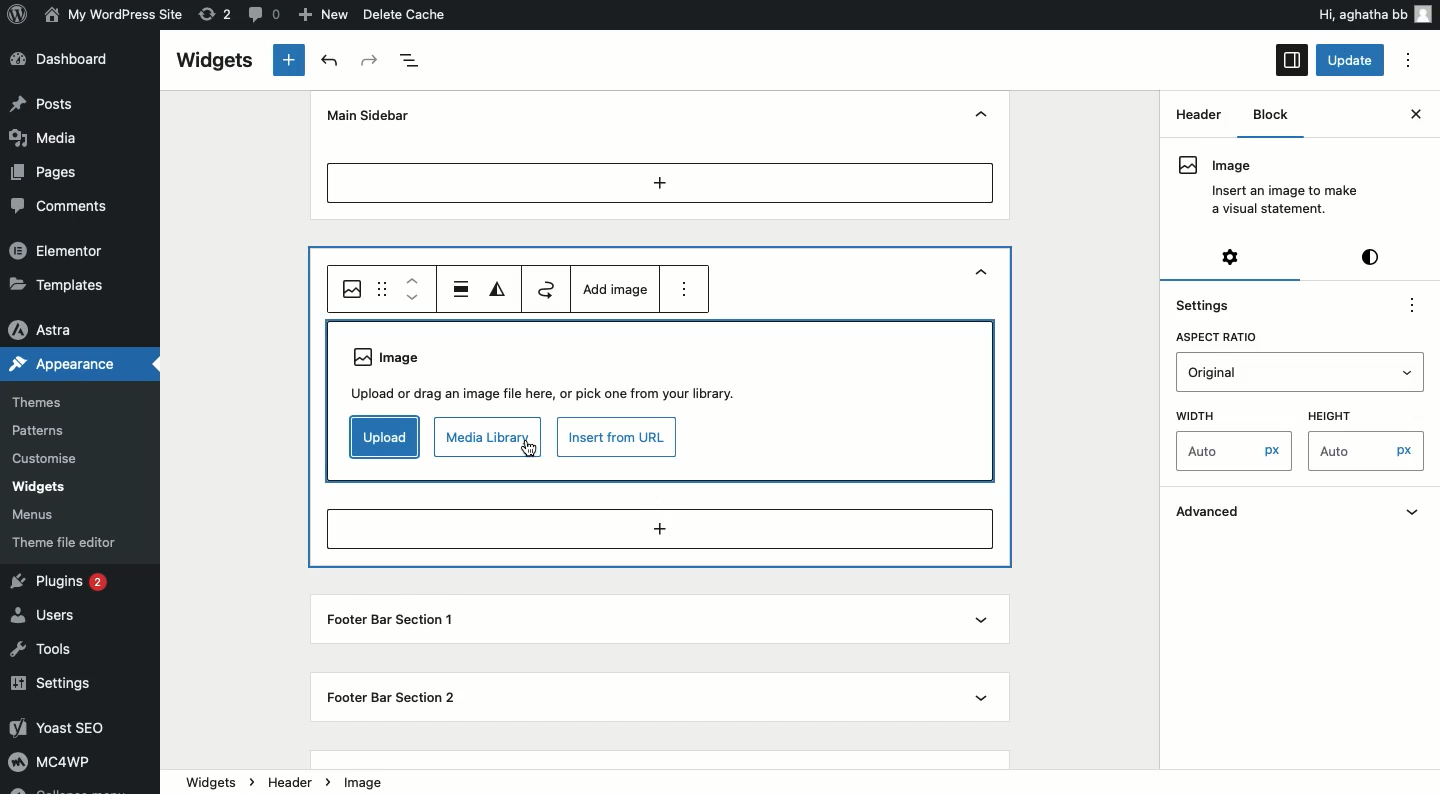 This screenshot has height=794, width=1440. What do you see at coordinates (37, 403) in the screenshot?
I see `Themes` at bounding box center [37, 403].